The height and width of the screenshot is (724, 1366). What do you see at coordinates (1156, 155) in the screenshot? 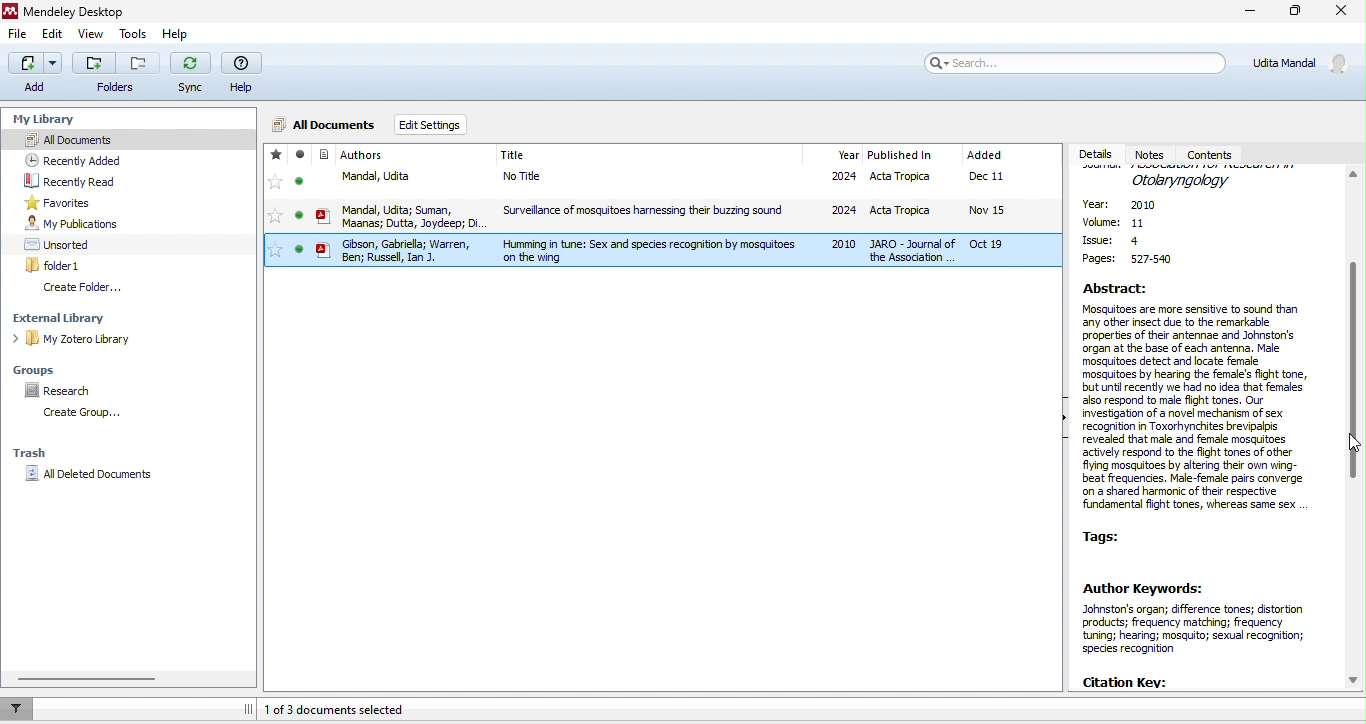
I see `notes` at bounding box center [1156, 155].